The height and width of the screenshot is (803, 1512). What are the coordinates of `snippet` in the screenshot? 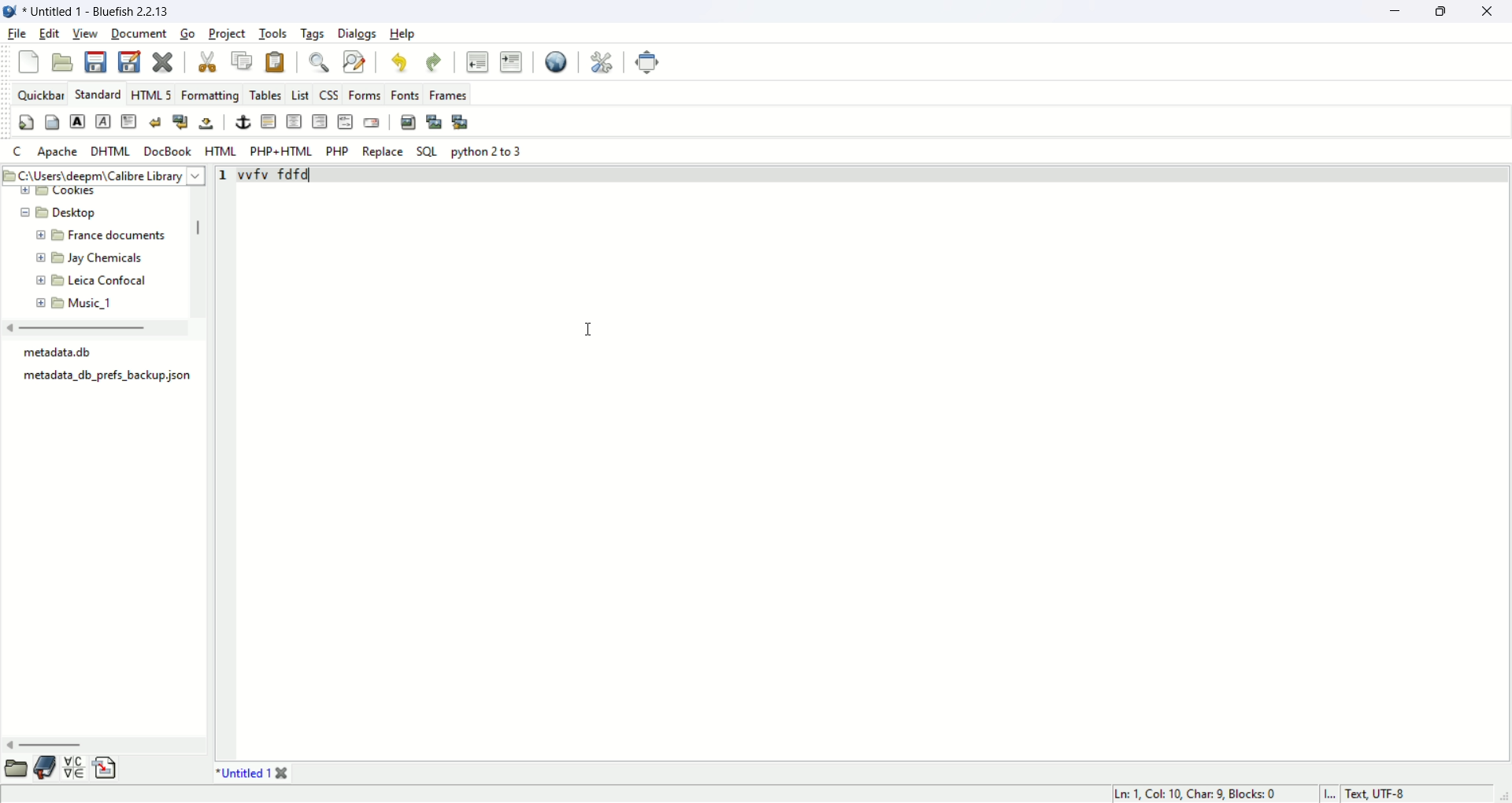 It's located at (105, 768).